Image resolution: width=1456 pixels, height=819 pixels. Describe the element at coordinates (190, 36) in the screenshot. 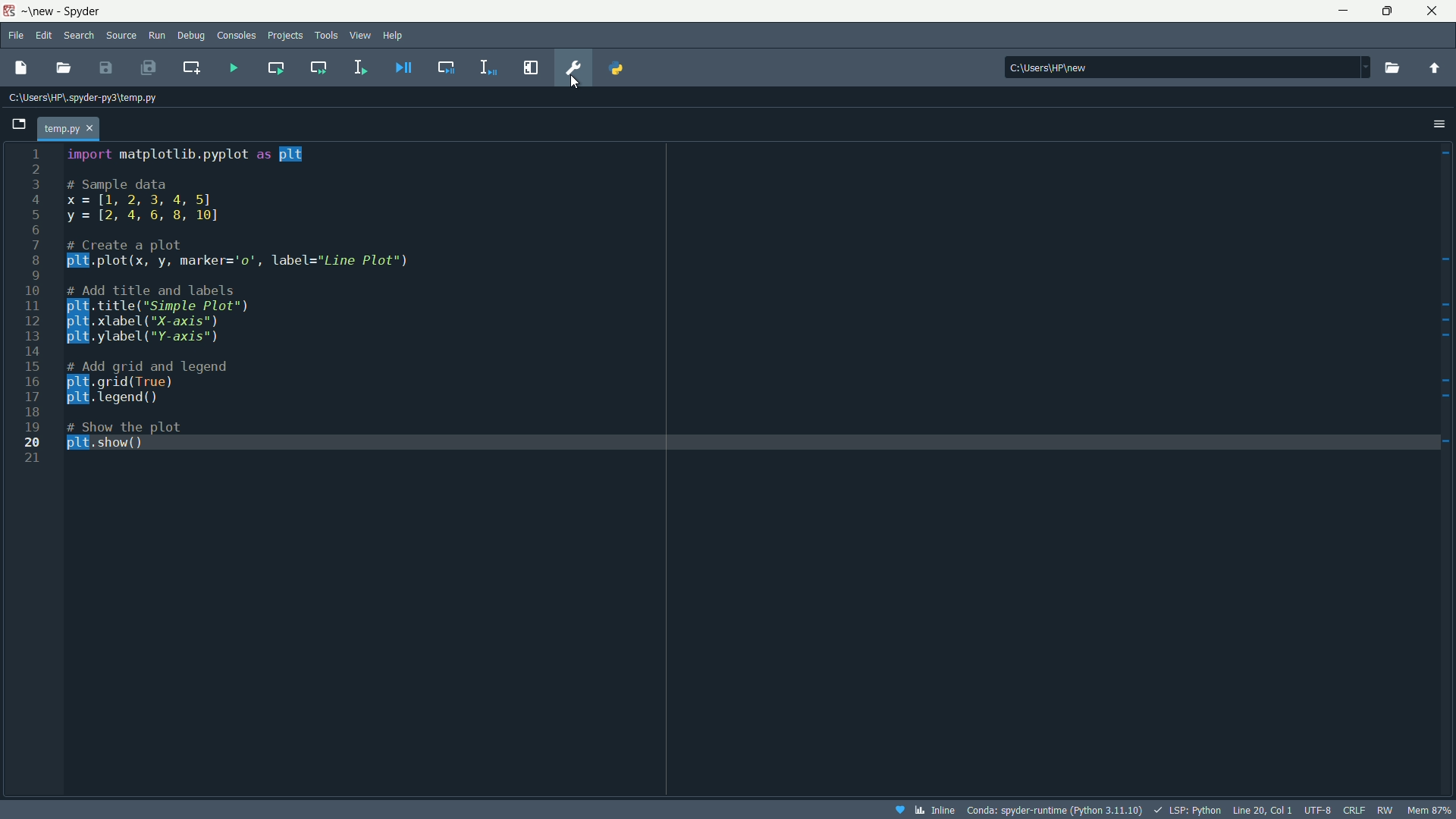

I see `debug` at that location.